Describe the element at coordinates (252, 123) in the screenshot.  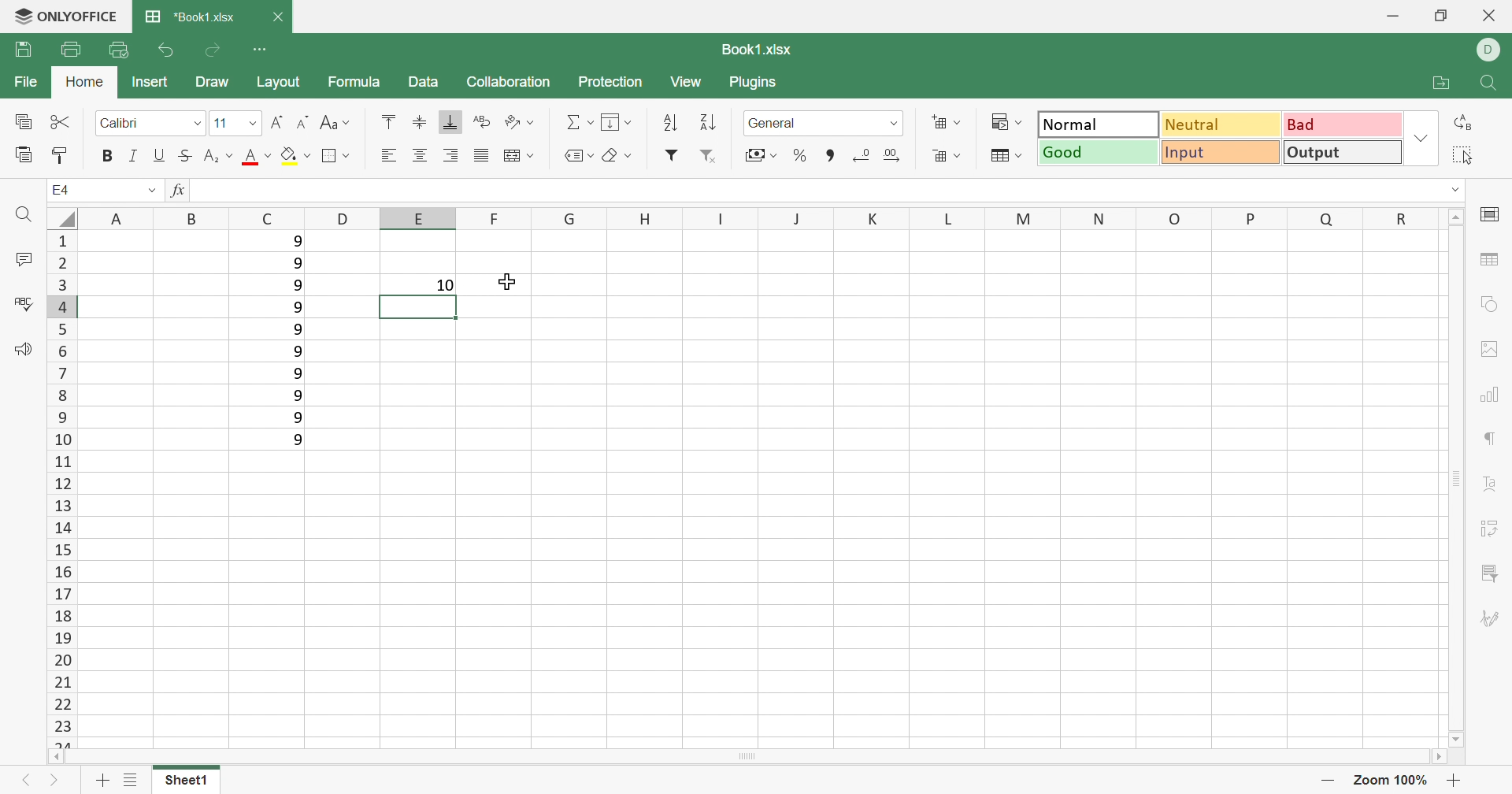
I see `Drop Down` at that location.